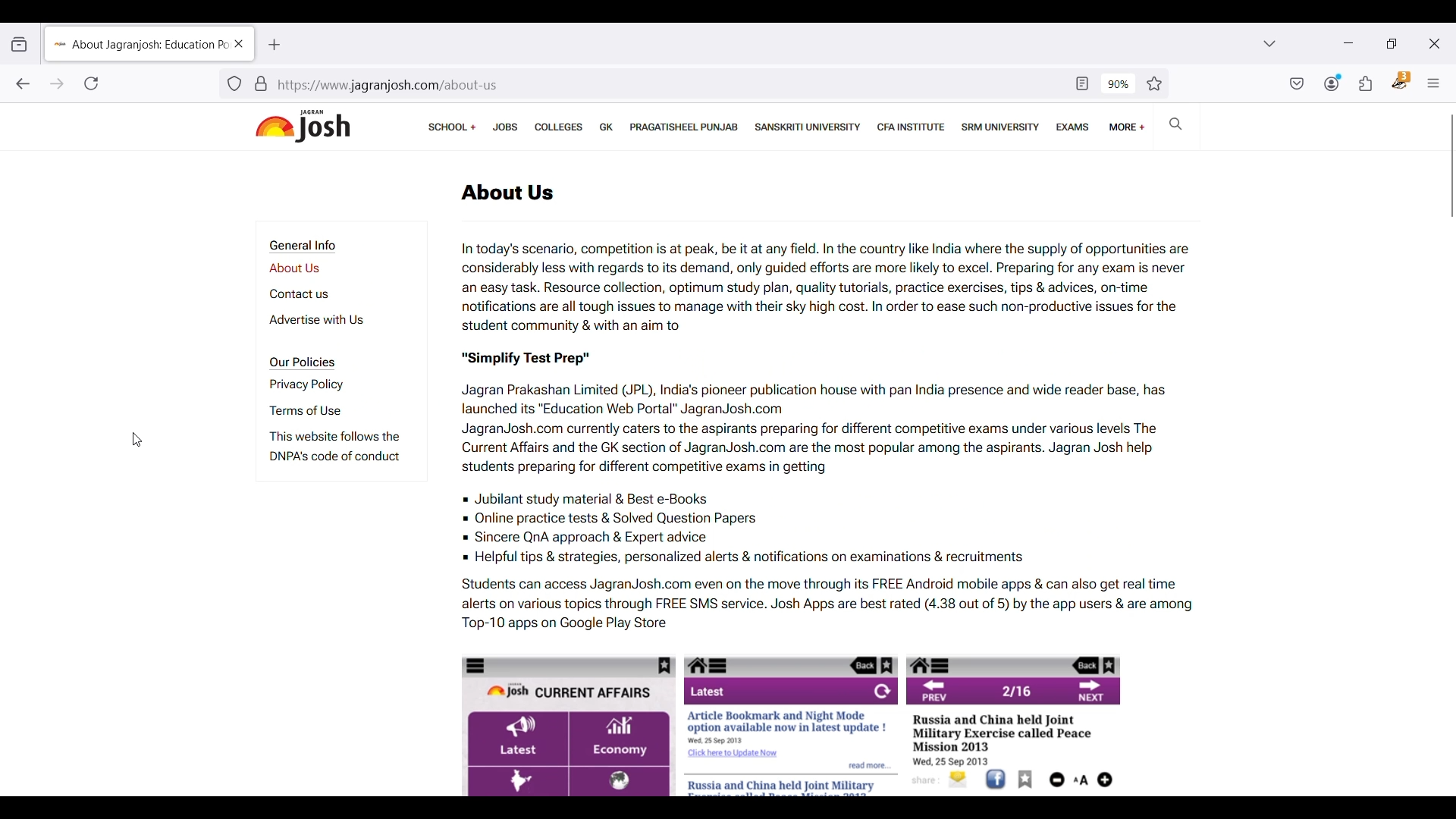 The width and height of the screenshot is (1456, 819). What do you see at coordinates (1128, 127) in the screenshot?
I see `More linked pages` at bounding box center [1128, 127].